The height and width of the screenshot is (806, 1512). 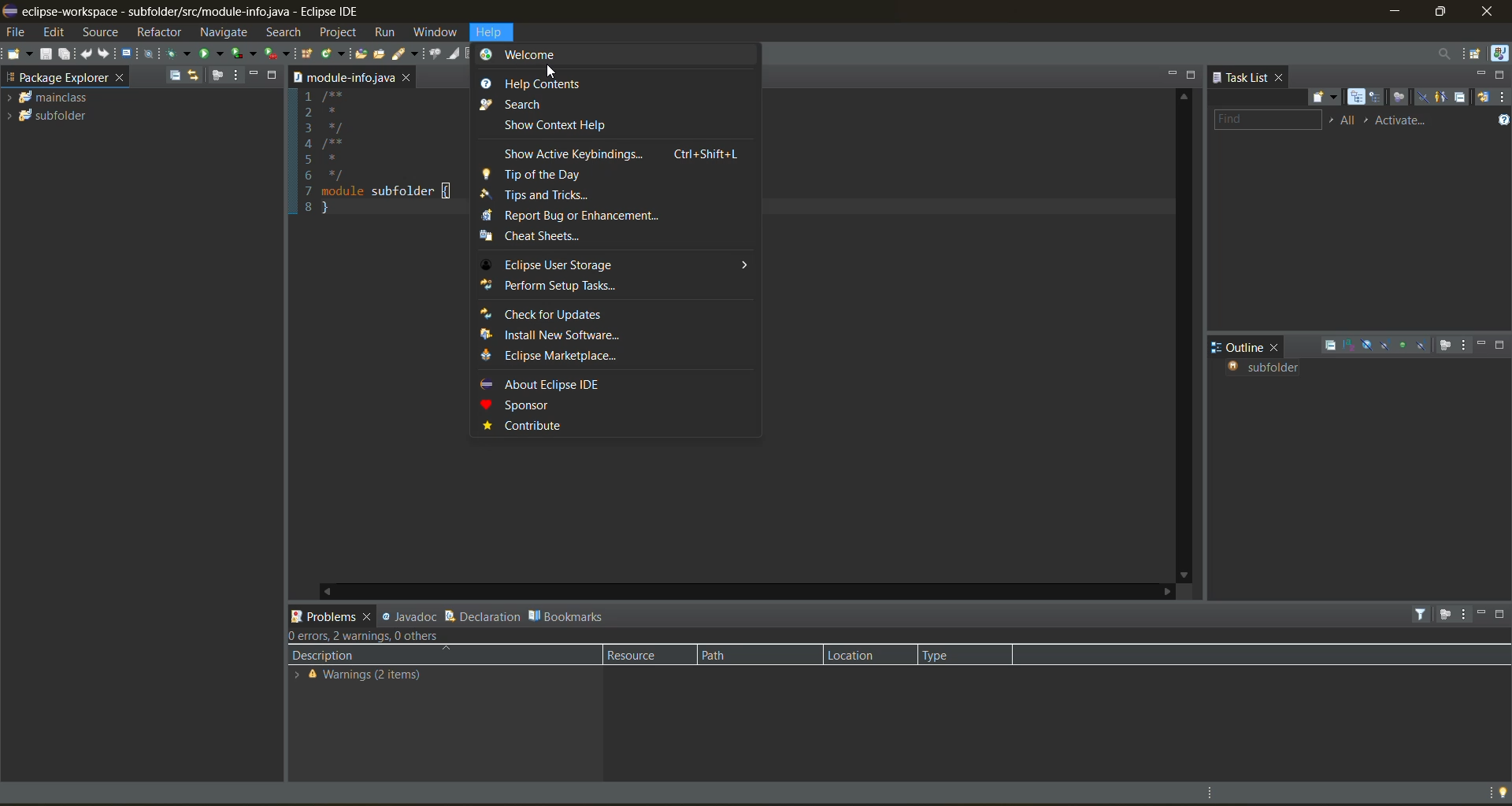 I want to click on new, so click(x=18, y=57).